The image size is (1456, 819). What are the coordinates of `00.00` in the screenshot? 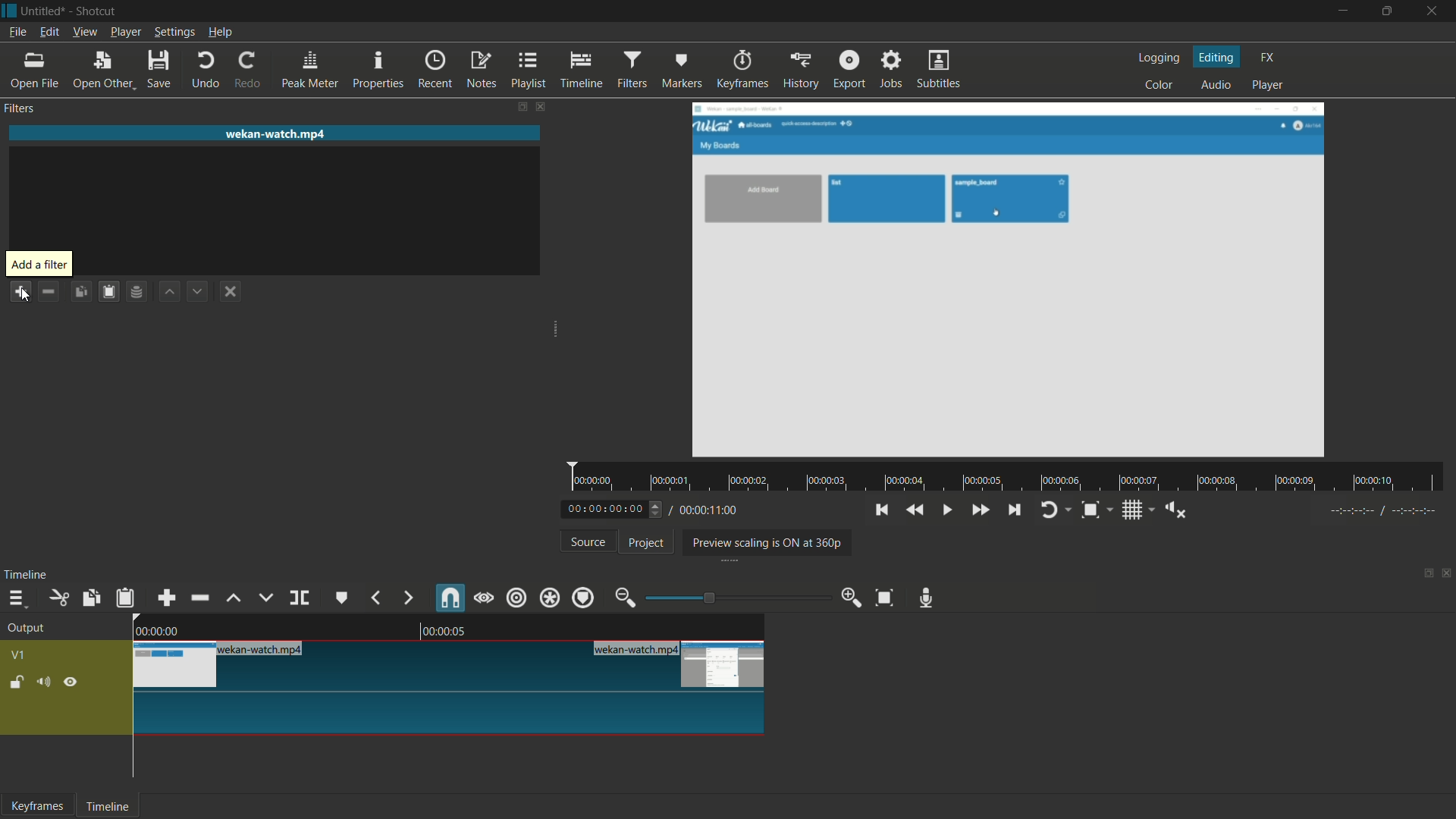 It's located at (156, 629).